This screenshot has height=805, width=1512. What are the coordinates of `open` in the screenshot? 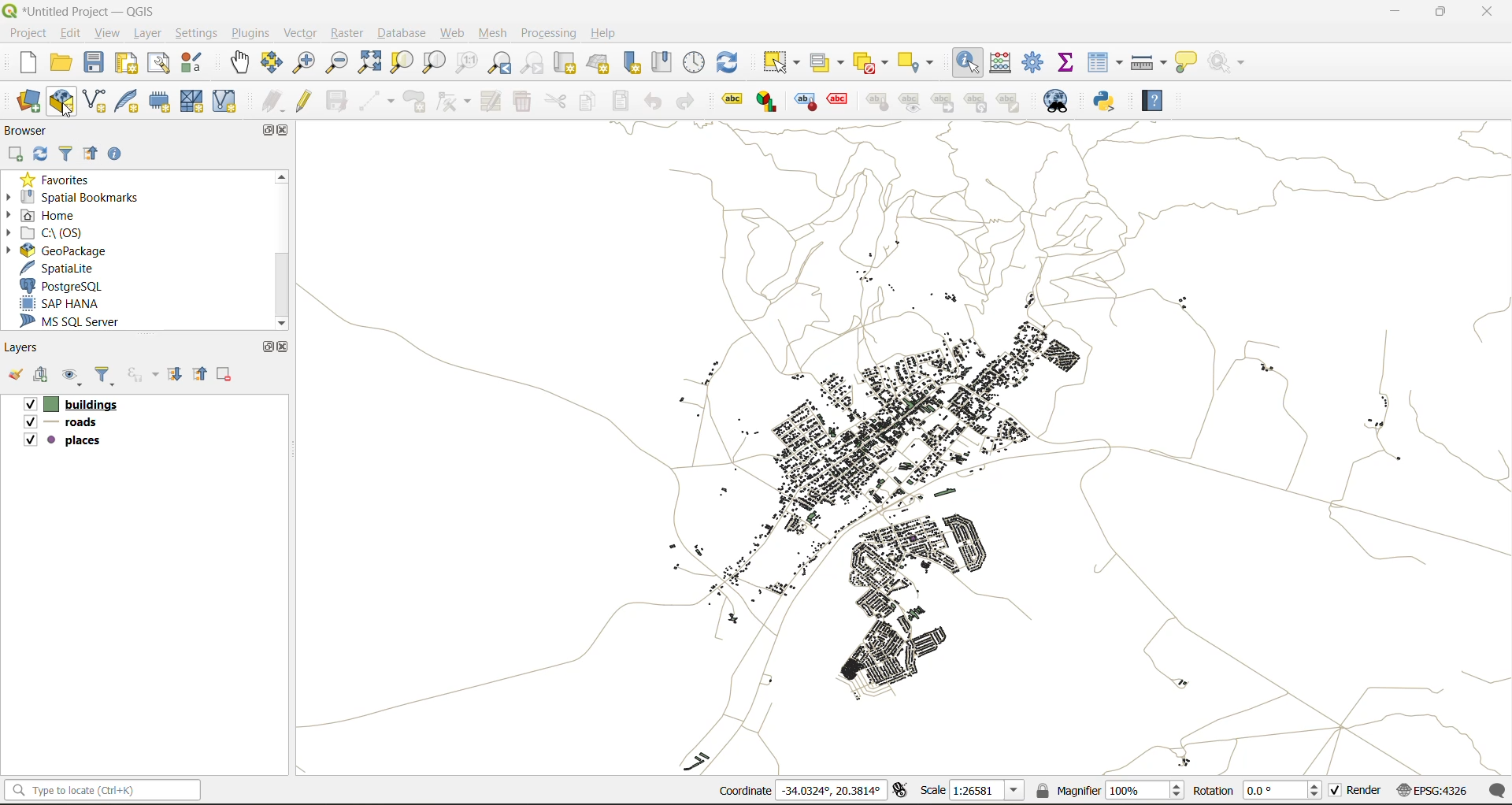 It's located at (62, 65).